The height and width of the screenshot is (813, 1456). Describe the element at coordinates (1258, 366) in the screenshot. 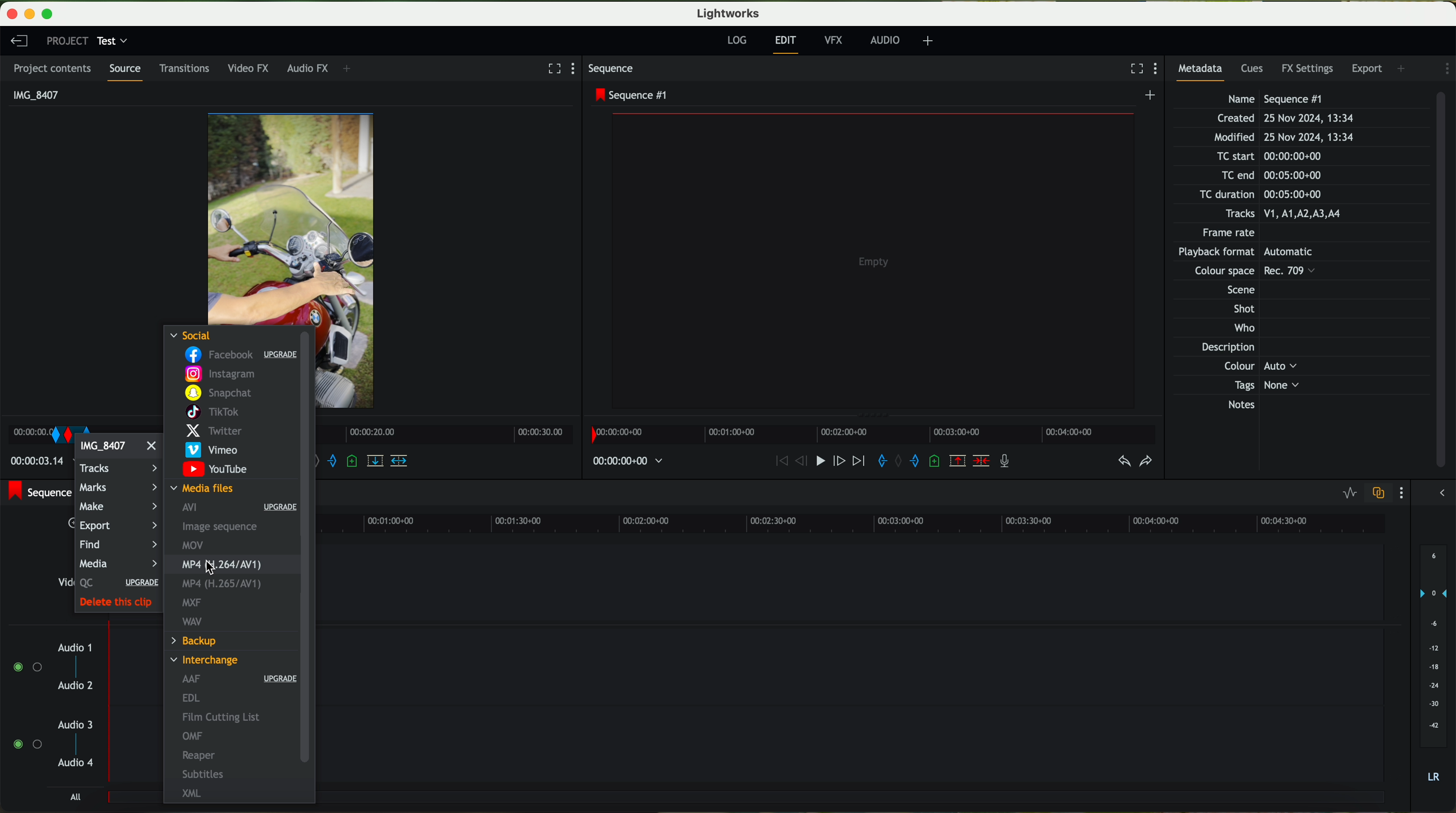

I see `` at that location.